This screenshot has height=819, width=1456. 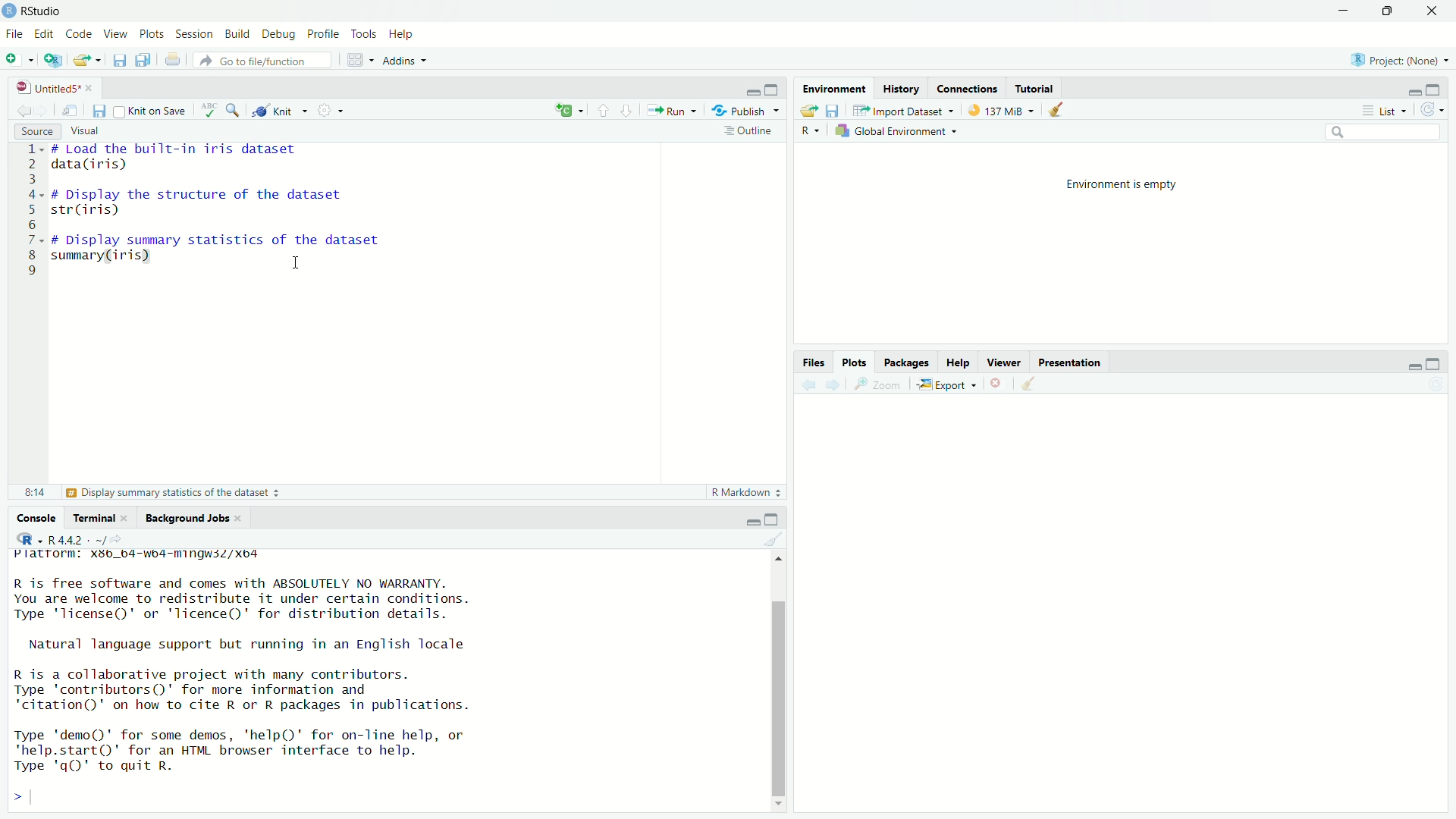 What do you see at coordinates (98, 111) in the screenshot?
I see `Save` at bounding box center [98, 111].